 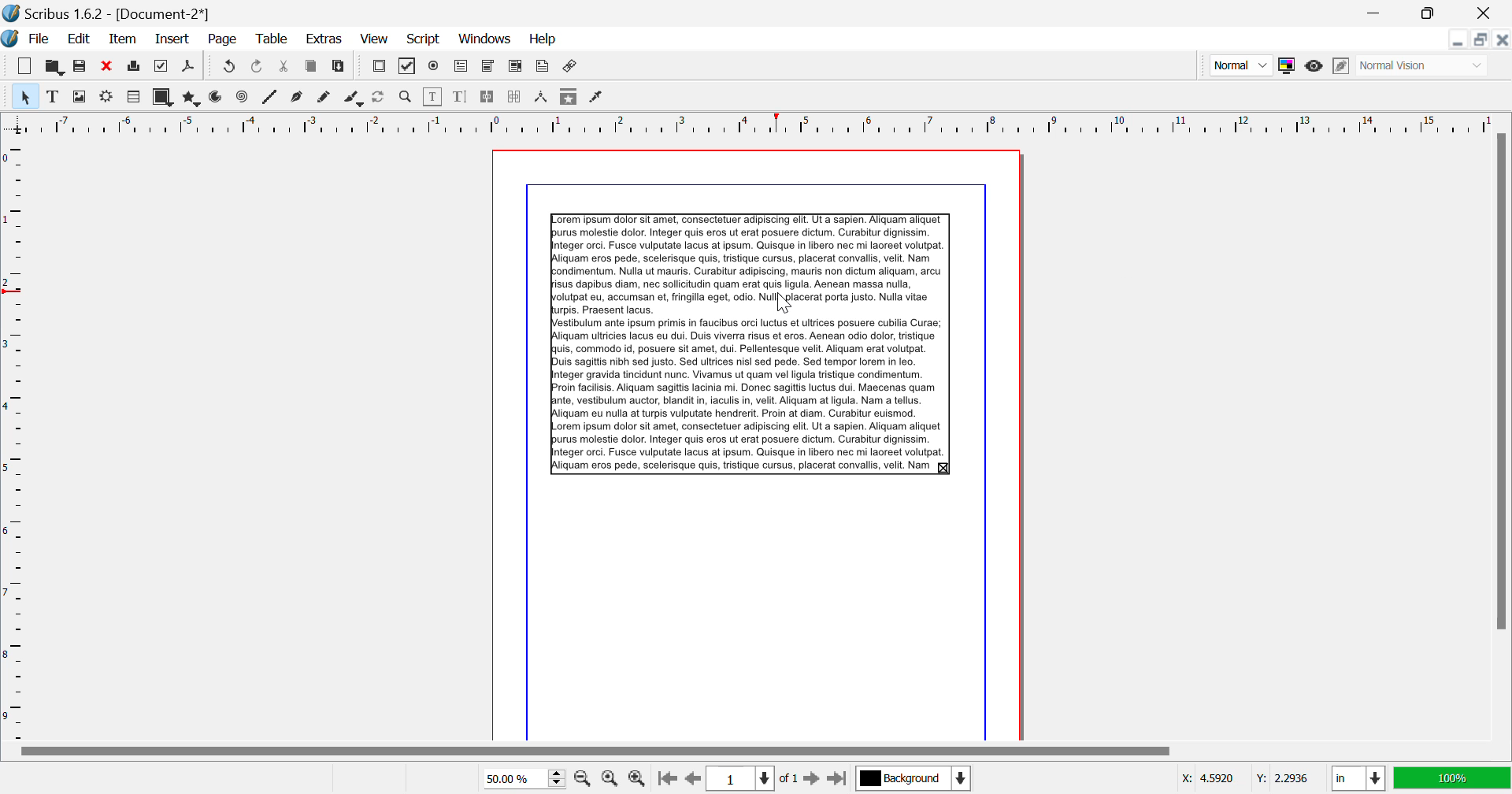 What do you see at coordinates (354, 99) in the screenshot?
I see `Calligraphic Line` at bounding box center [354, 99].